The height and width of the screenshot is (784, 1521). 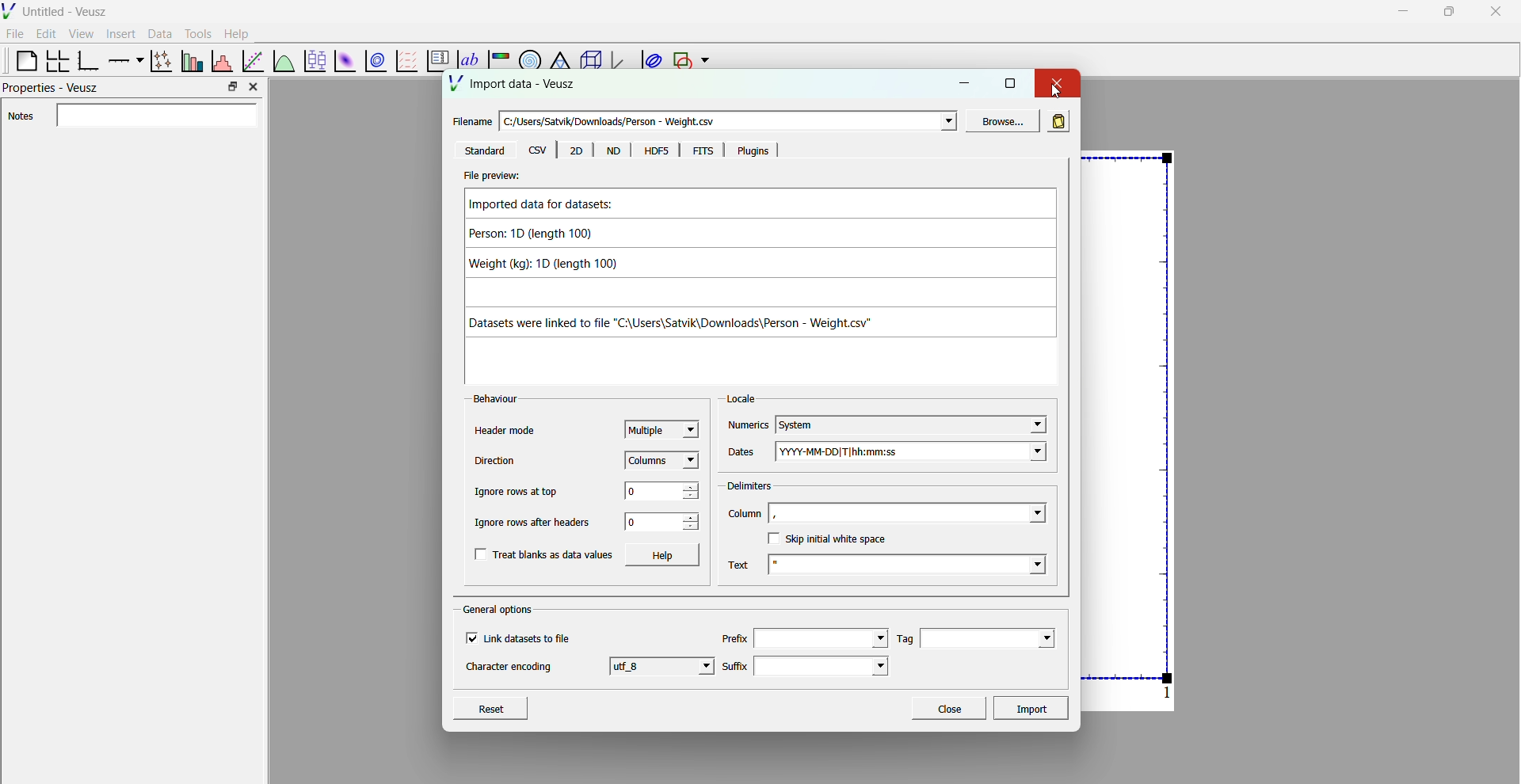 I want to click on 0, so click(x=634, y=522).